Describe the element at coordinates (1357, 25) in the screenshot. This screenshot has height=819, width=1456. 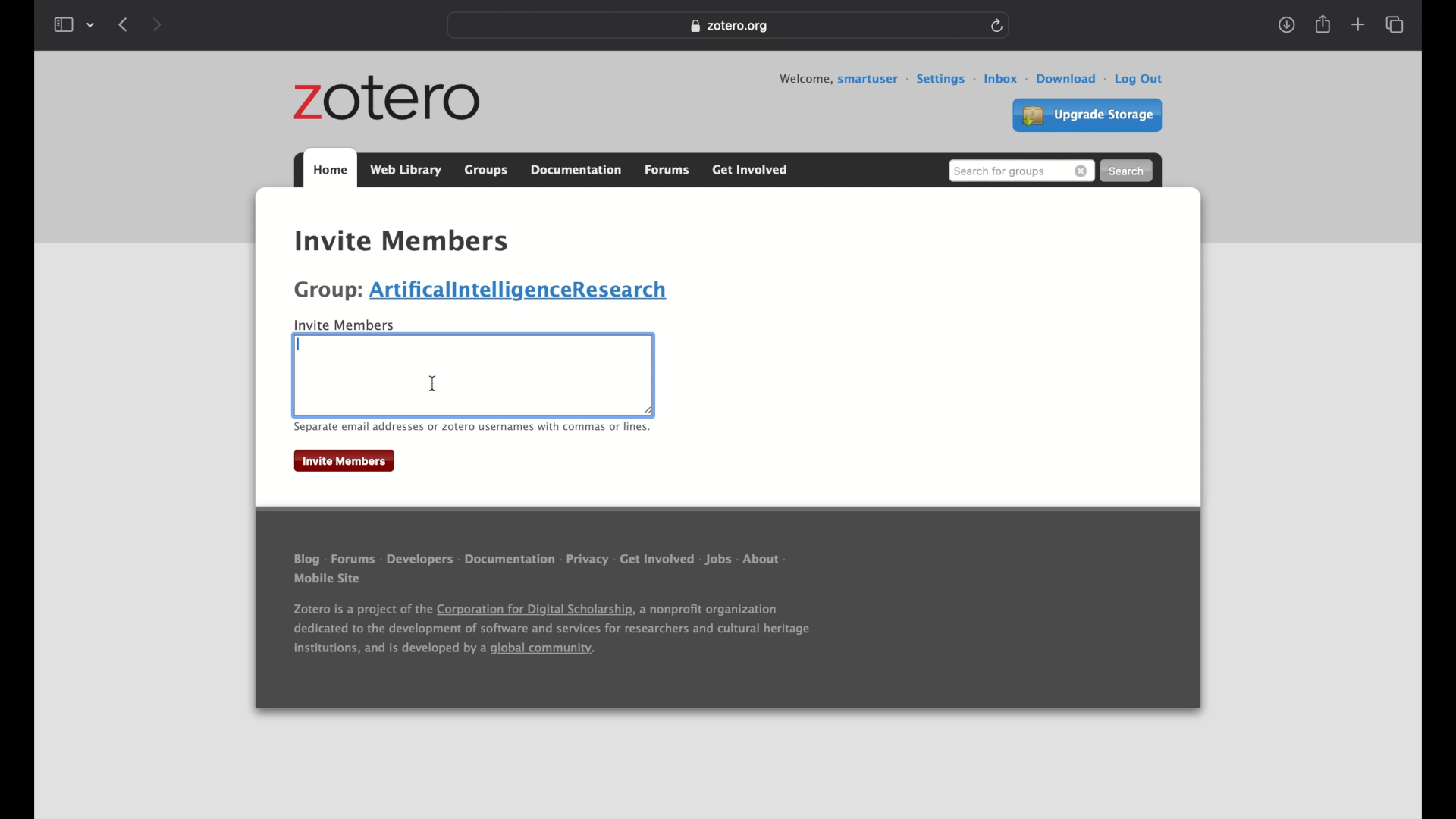
I see `new tab` at that location.